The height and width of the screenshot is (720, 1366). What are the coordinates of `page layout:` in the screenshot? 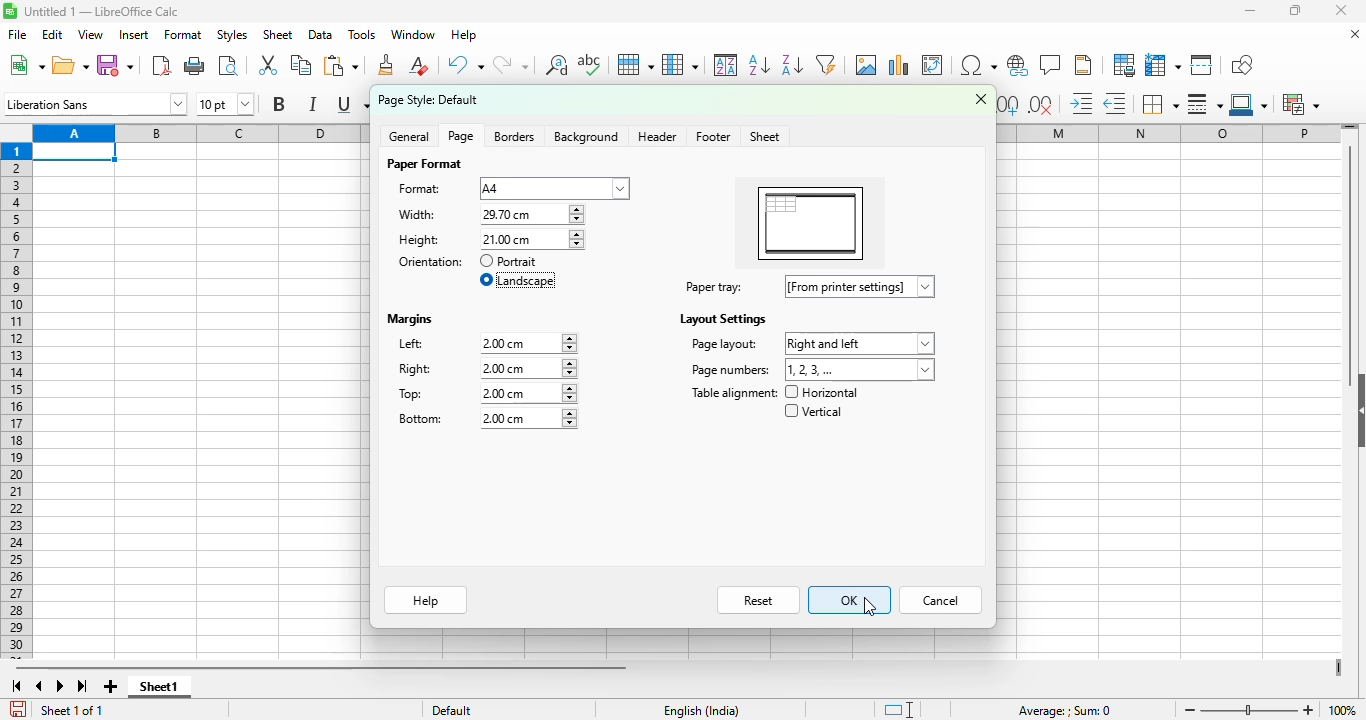 It's located at (723, 344).